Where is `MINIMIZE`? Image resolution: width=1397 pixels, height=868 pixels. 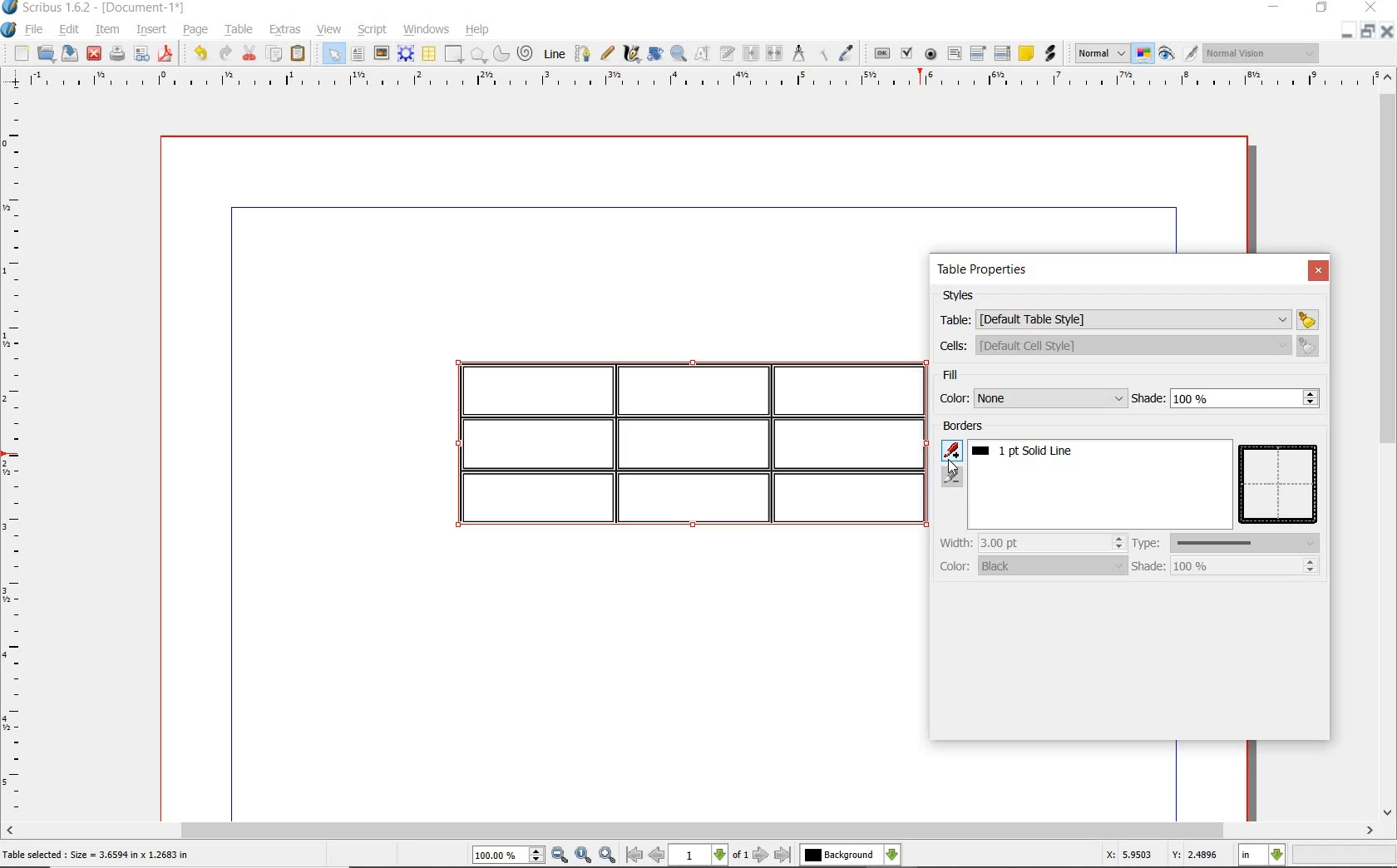
MINIMIZE is located at coordinates (1273, 7).